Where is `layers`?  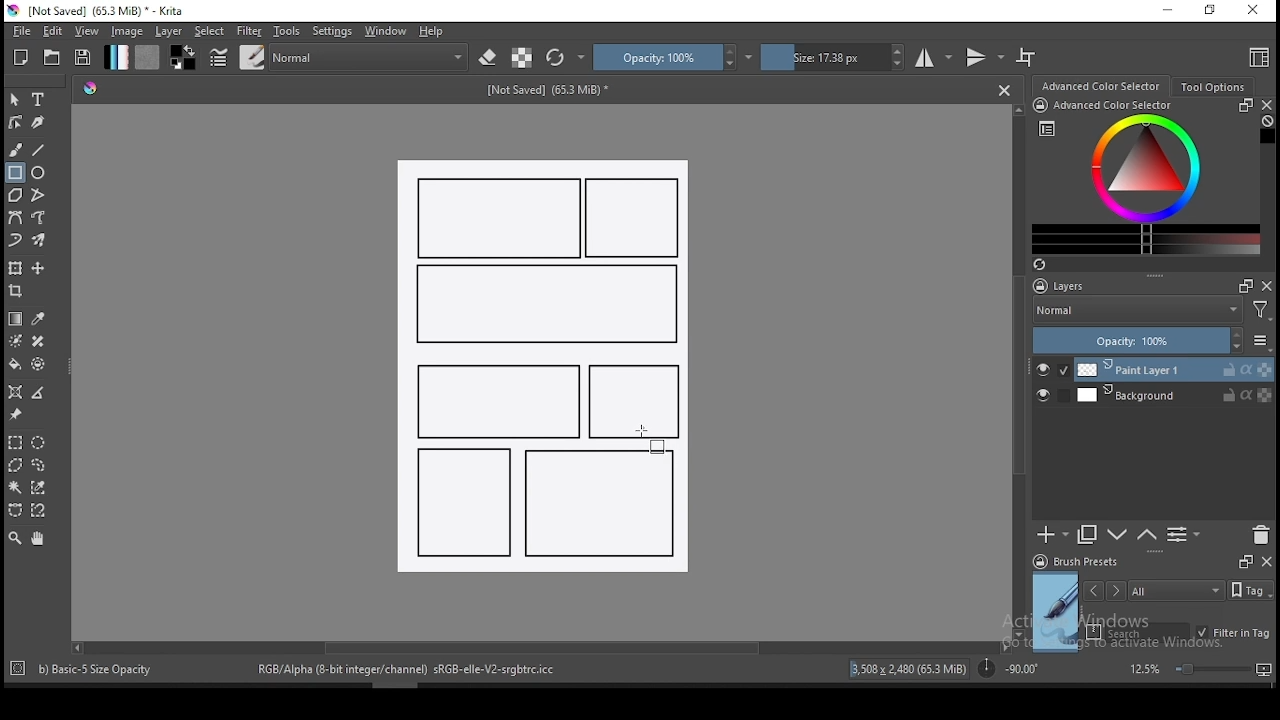
layers is located at coordinates (1065, 287).